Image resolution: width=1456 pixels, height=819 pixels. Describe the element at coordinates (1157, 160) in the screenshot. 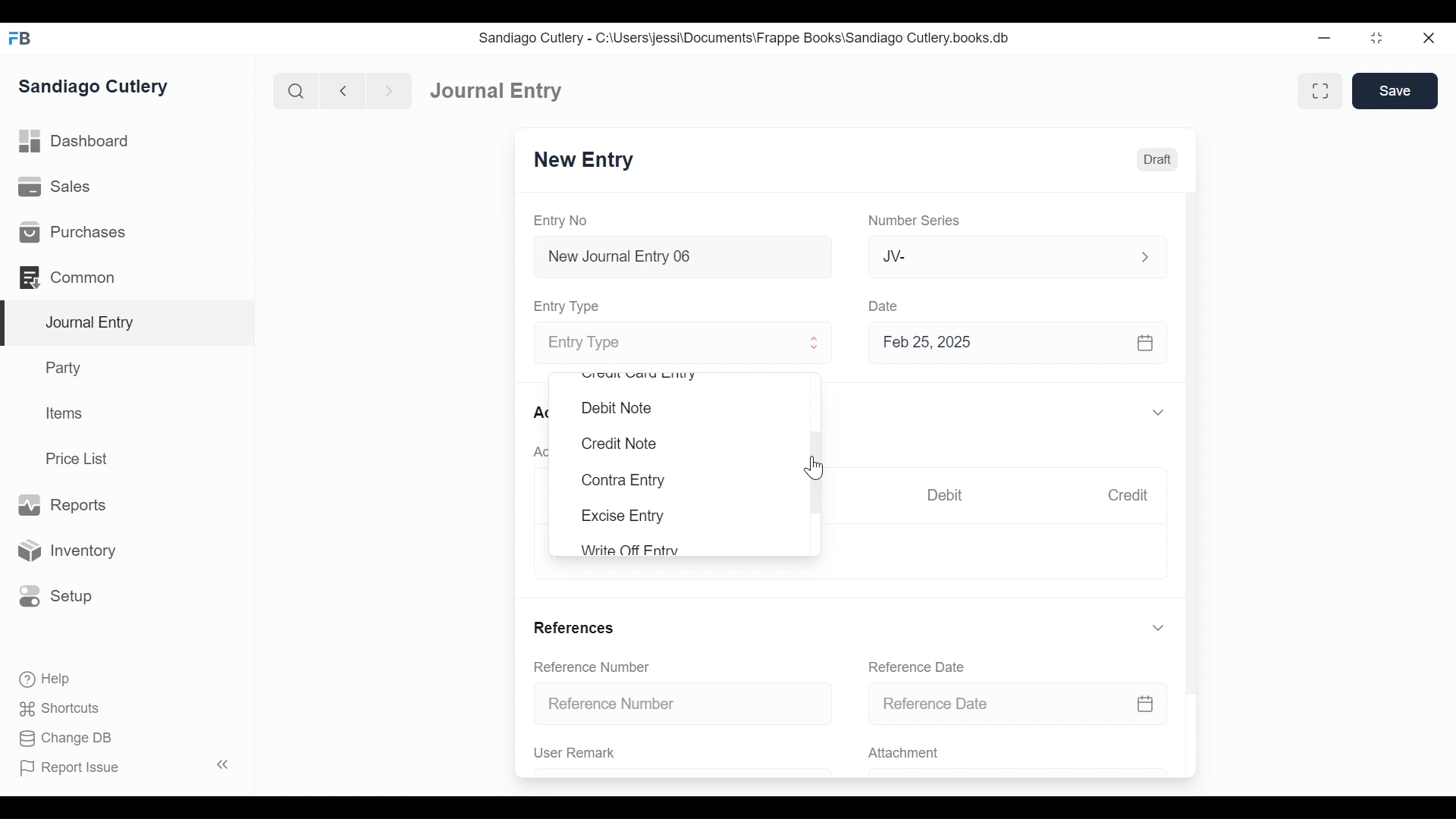

I see `Draft` at that location.